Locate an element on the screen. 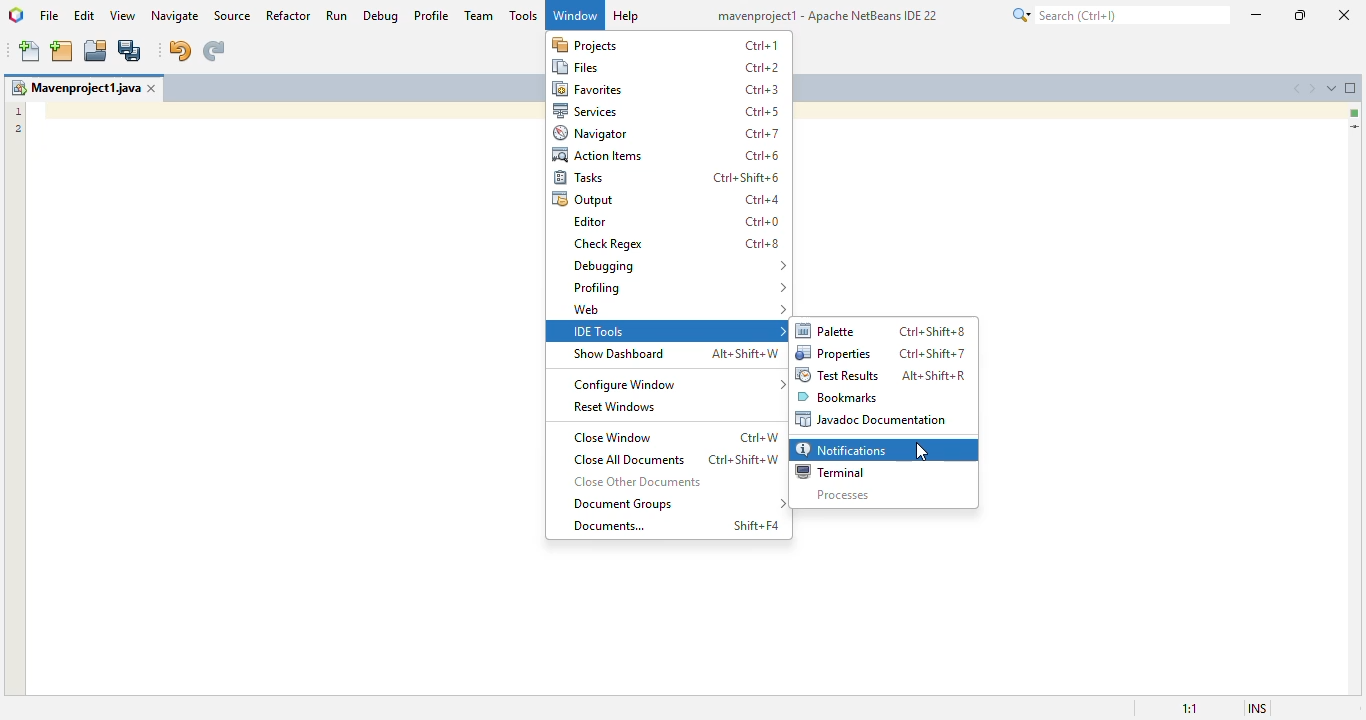 The image size is (1366, 720). close all documents is located at coordinates (629, 460).